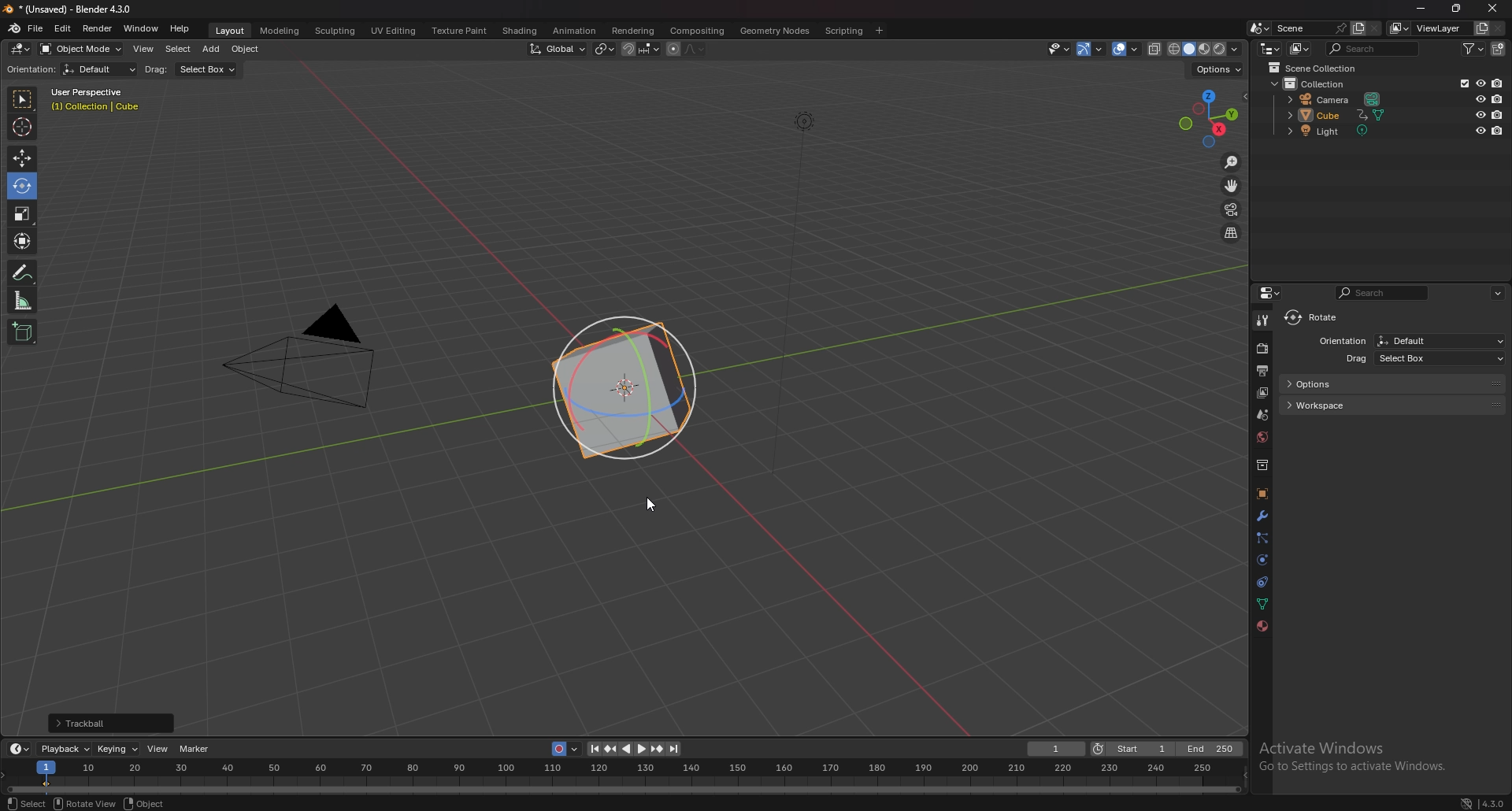 This screenshot has width=1512, height=811. I want to click on data, so click(1264, 602).